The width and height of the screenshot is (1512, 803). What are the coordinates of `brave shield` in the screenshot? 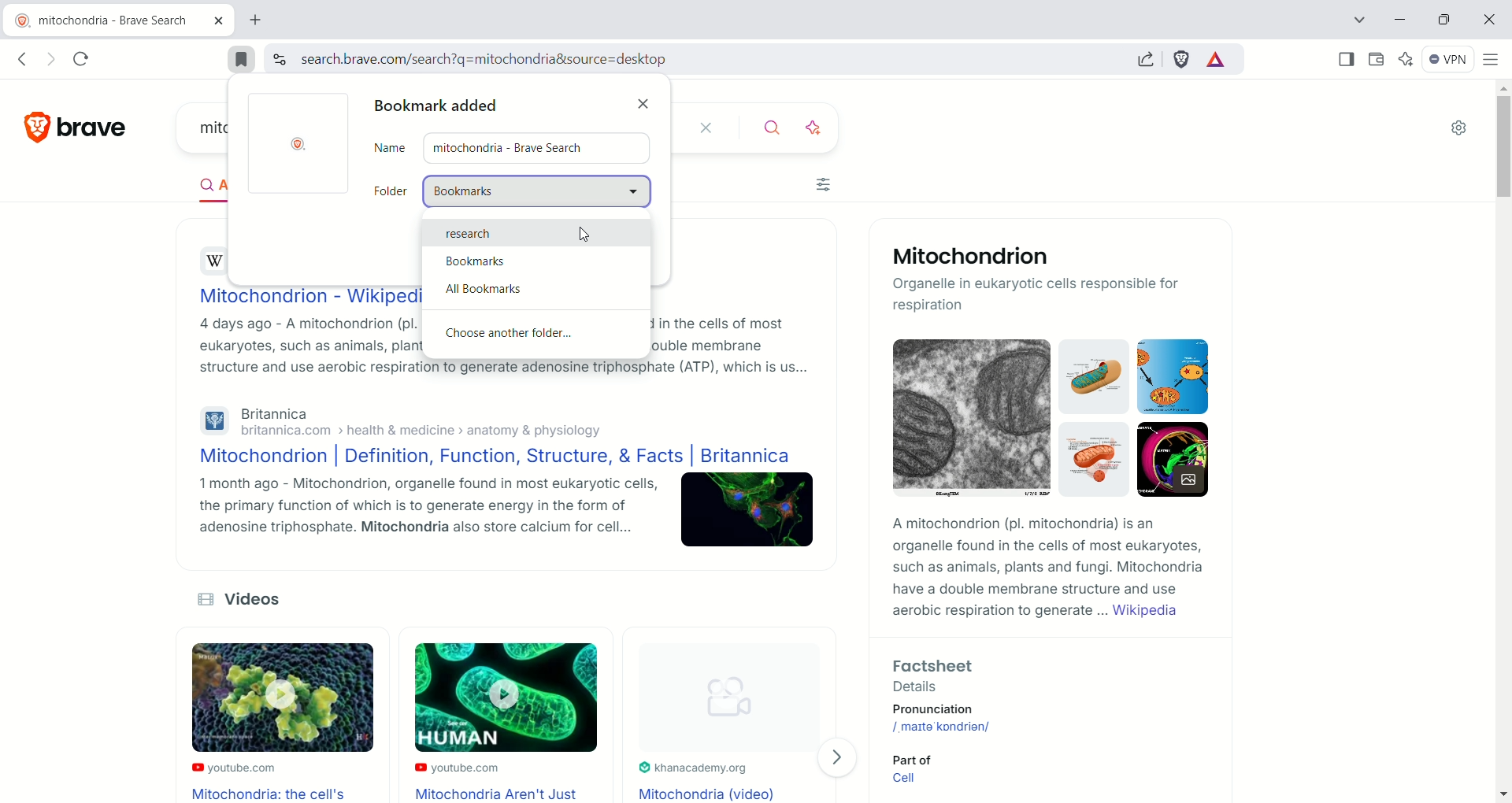 It's located at (1183, 61).